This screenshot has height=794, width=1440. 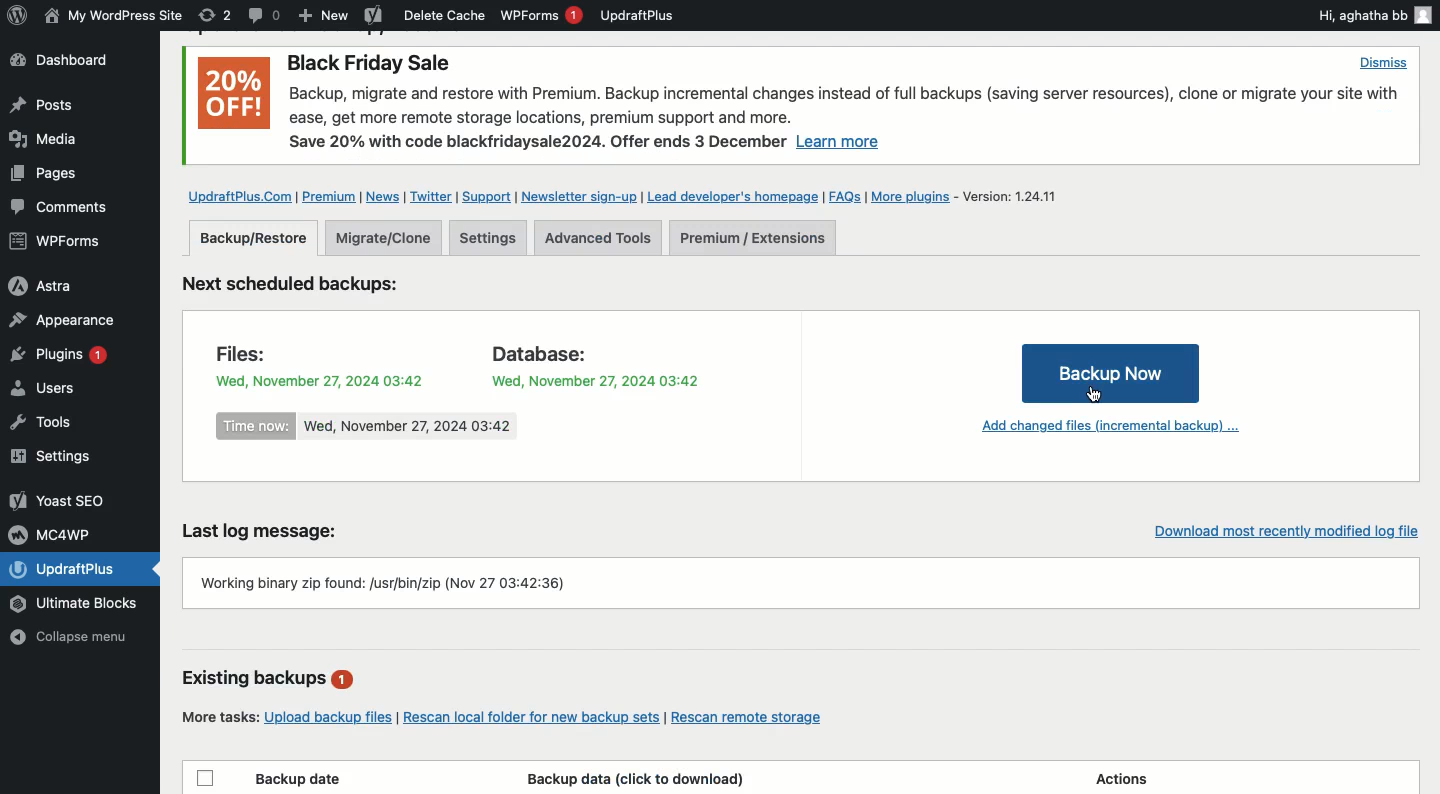 I want to click on Settings, so click(x=57, y=457).